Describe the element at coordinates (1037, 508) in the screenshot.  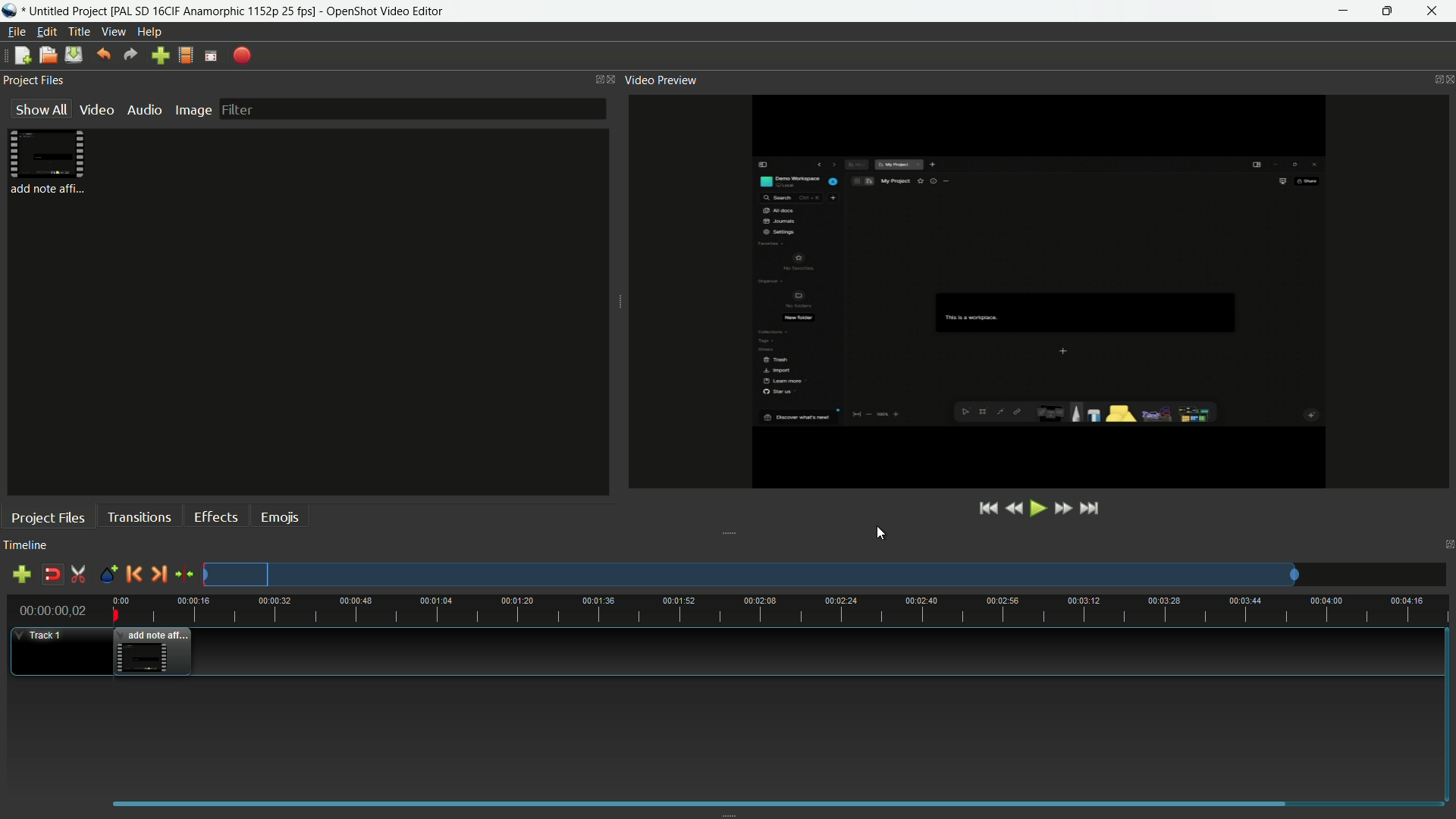
I see `play or pause` at that location.